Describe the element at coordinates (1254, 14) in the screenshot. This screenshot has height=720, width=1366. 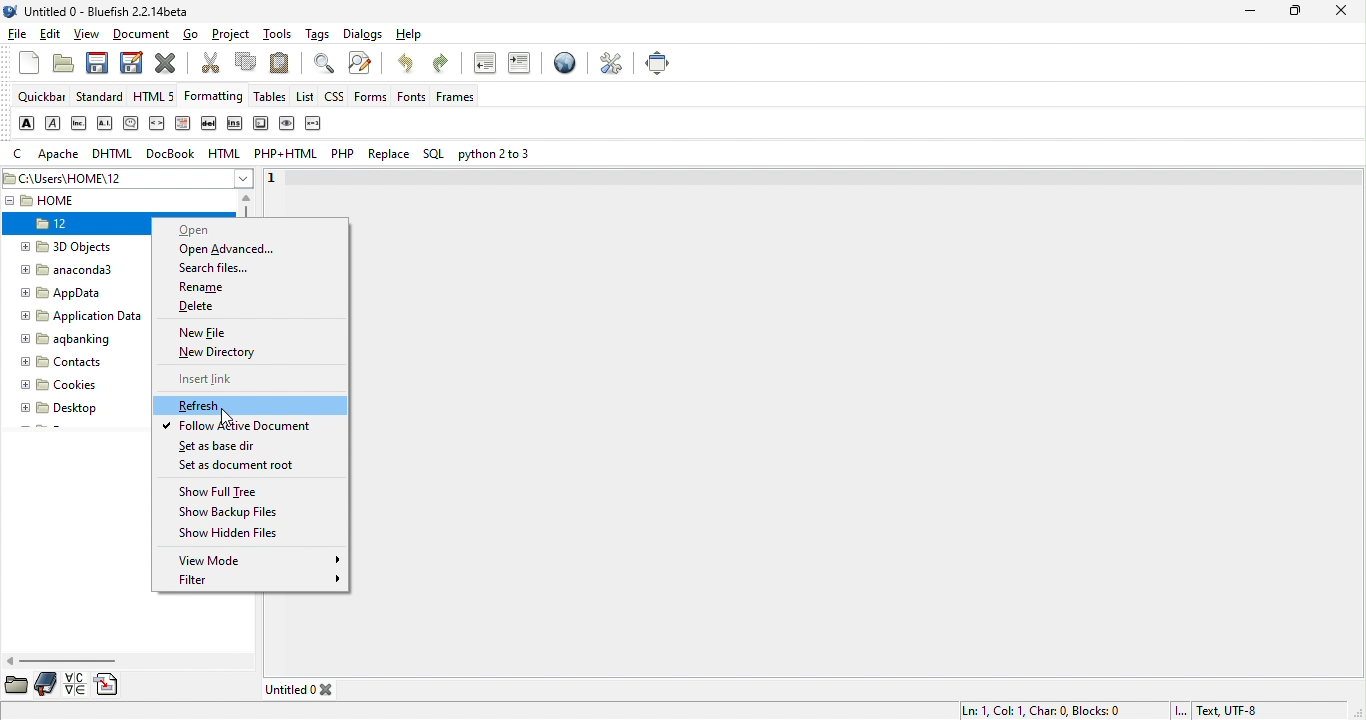
I see `minimize` at that location.